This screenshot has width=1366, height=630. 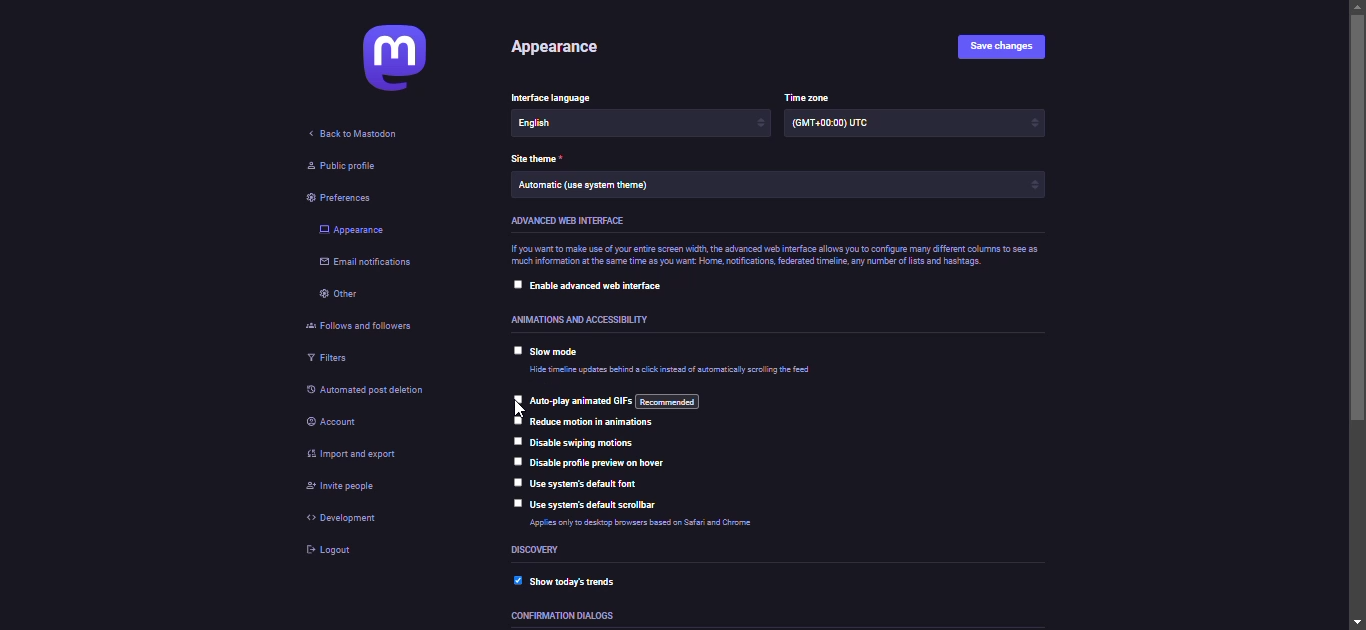 I want to click on info, so click(x=672, y=524).